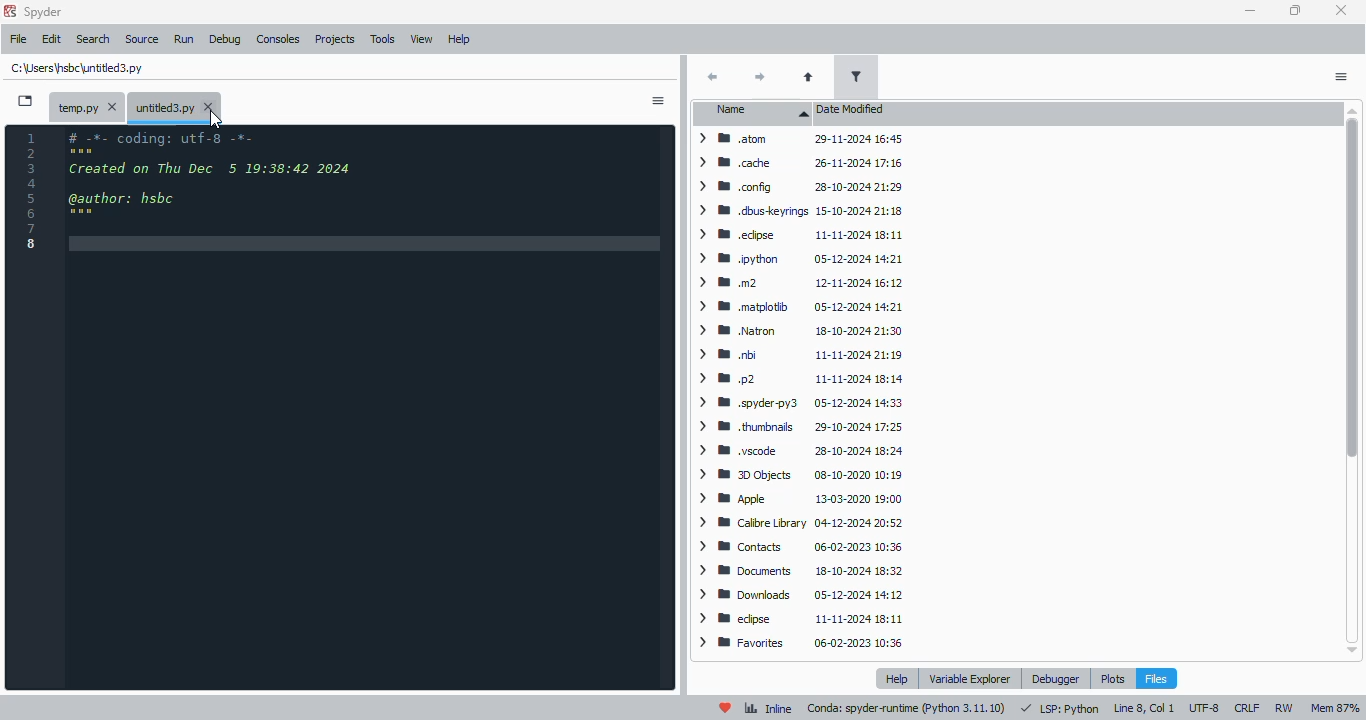 The width and height of the screenshot is (1366, 720). I want to click on Mem 87%, so click(1334, 708).